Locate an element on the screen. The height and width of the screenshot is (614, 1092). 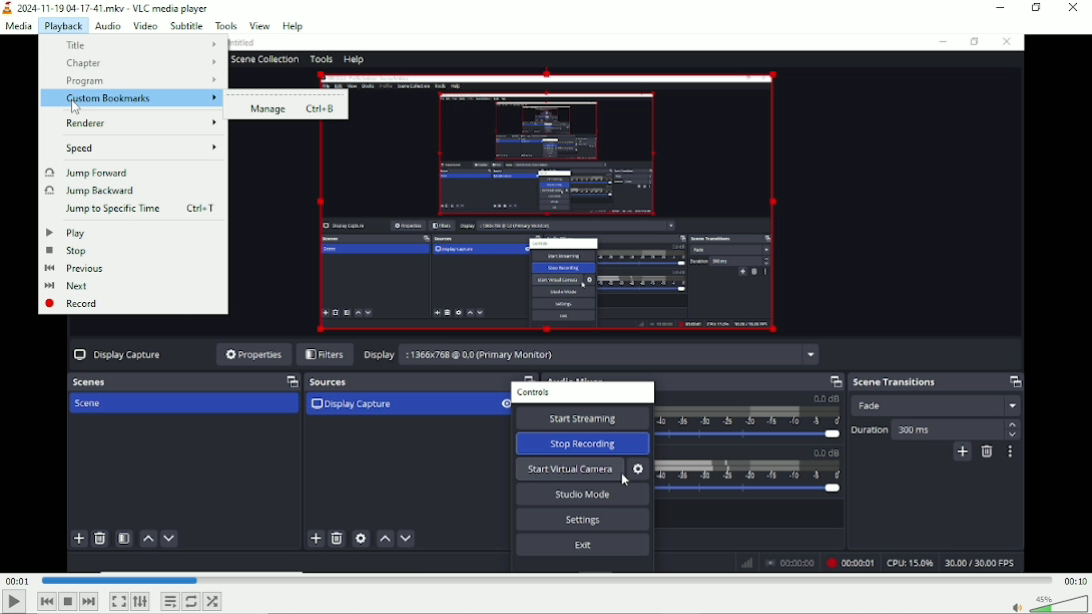
00:01 is located at coordinates (17, 579).